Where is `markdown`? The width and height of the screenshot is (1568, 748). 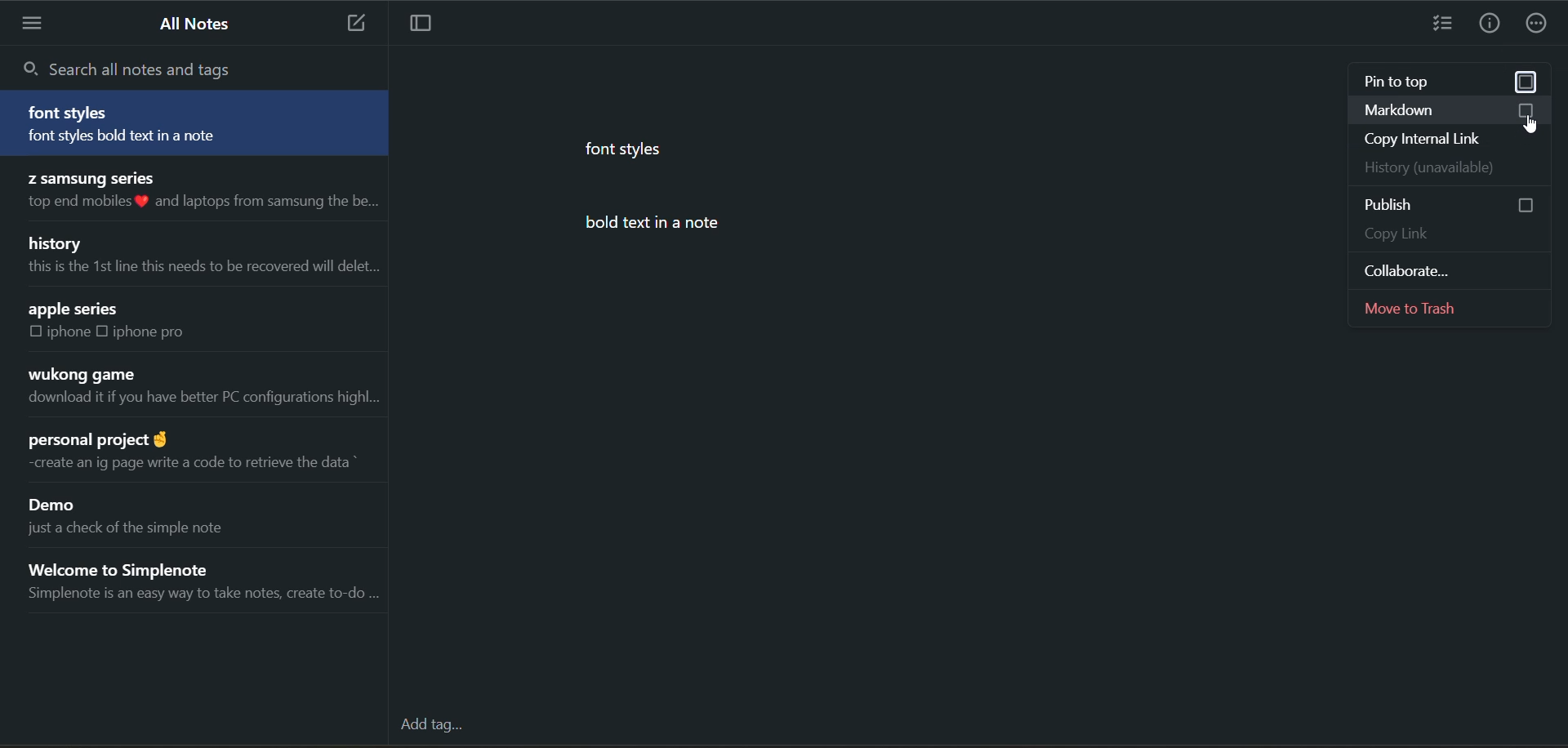 markdown is located at coordinates (1410, 110).